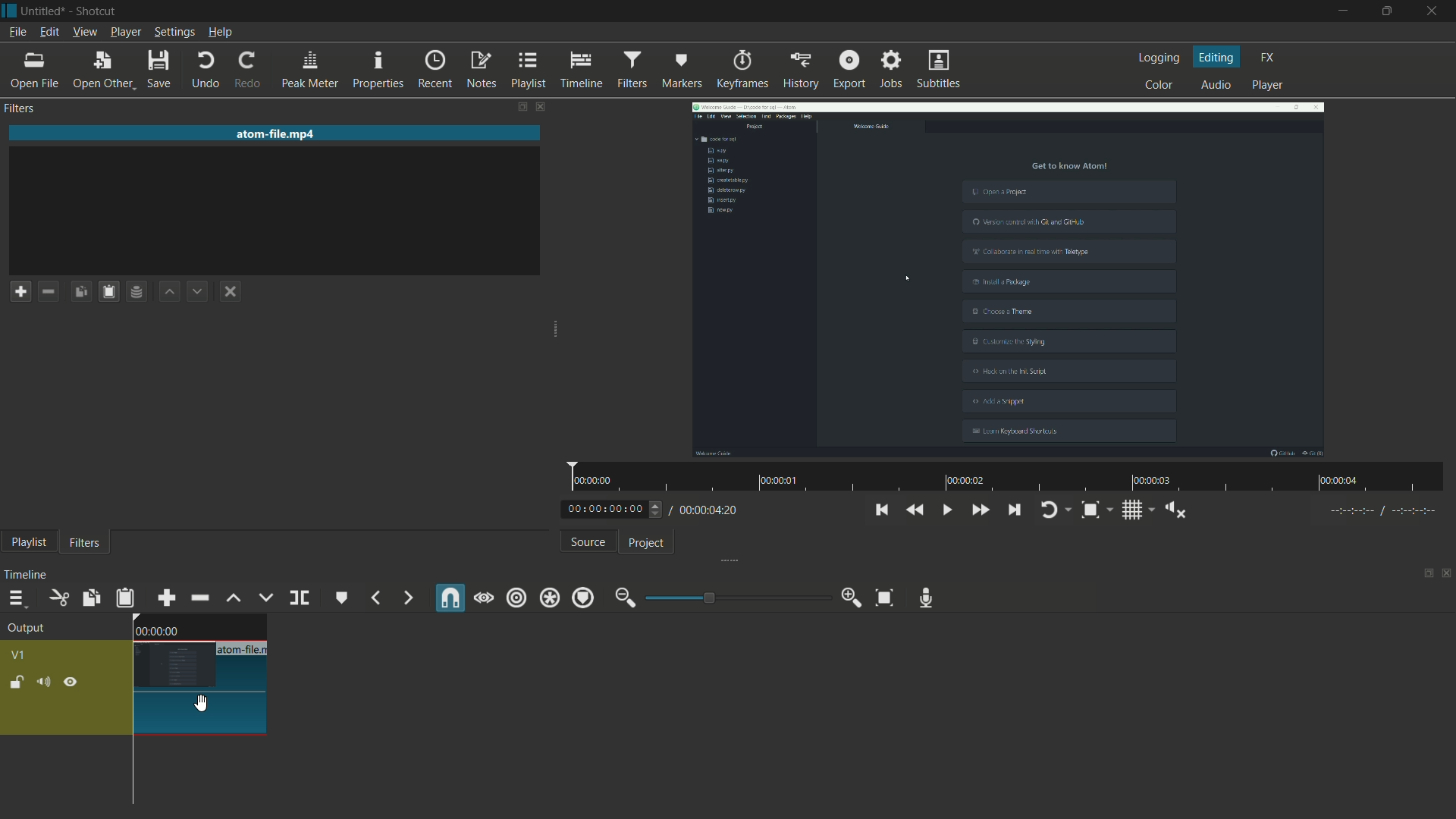 Image resolution: width=1456 pixels, height=819 pixels. I want to click on playlist, so click(29, 543).